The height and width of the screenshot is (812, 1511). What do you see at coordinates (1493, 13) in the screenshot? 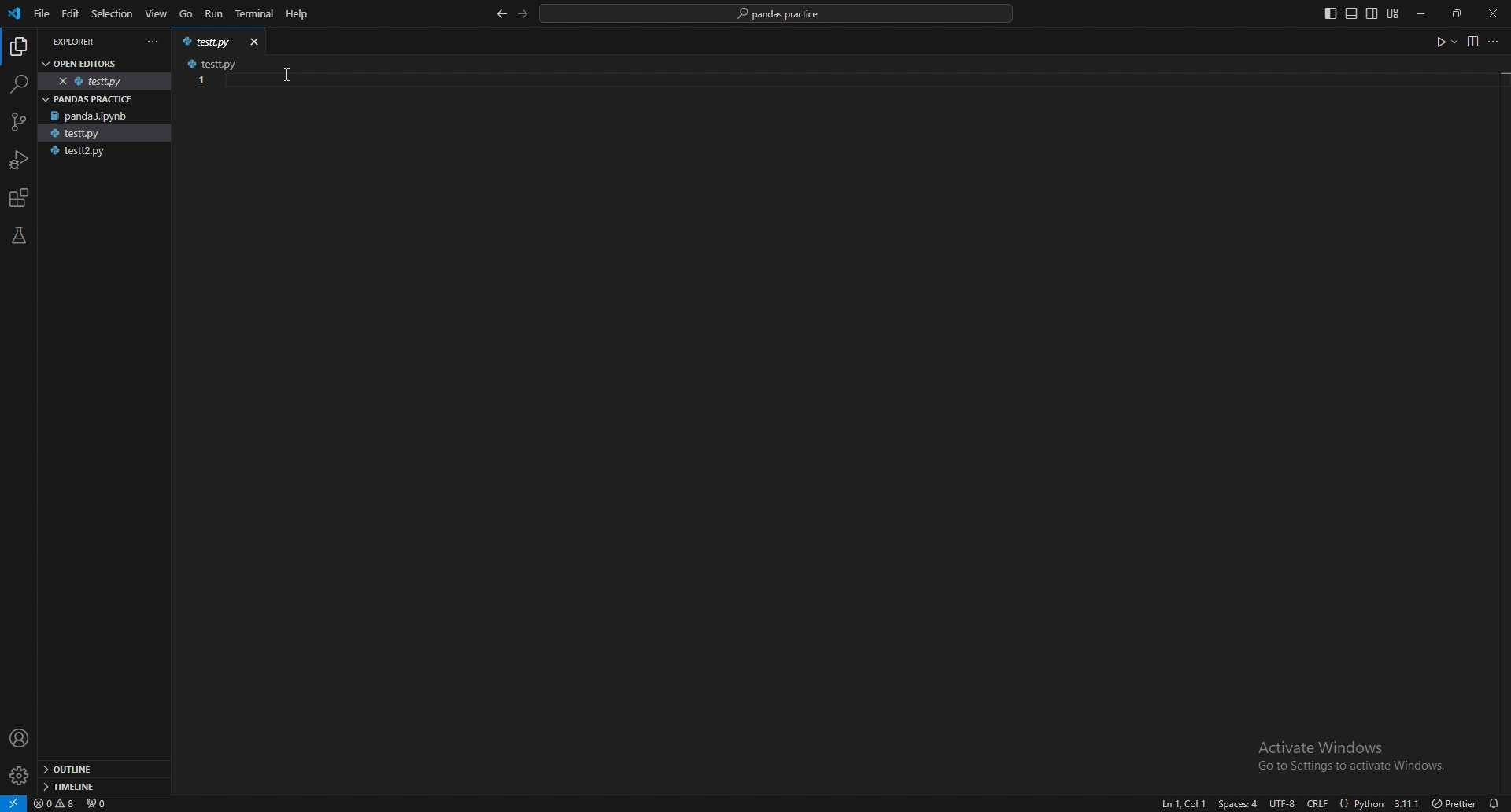
I see `close` at bounding box center [1493, 13].